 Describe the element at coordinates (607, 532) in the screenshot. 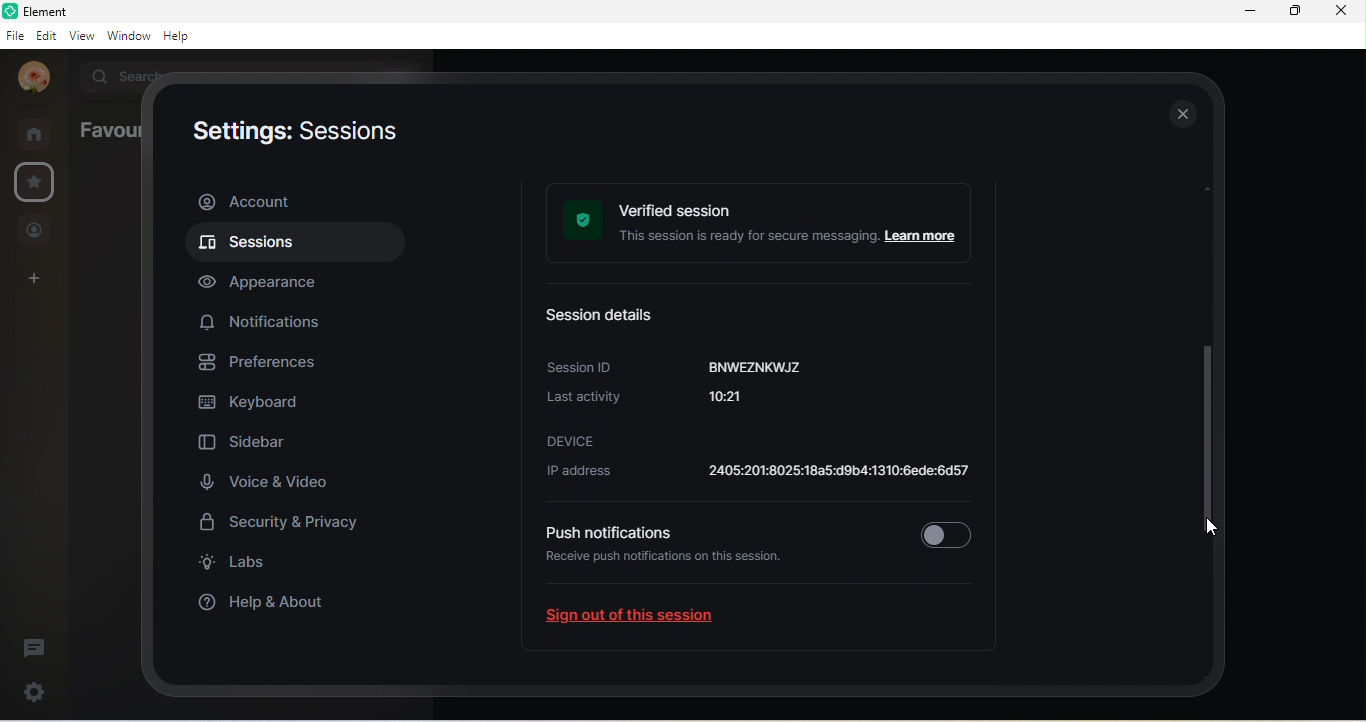

I see `push notifications` at that location.